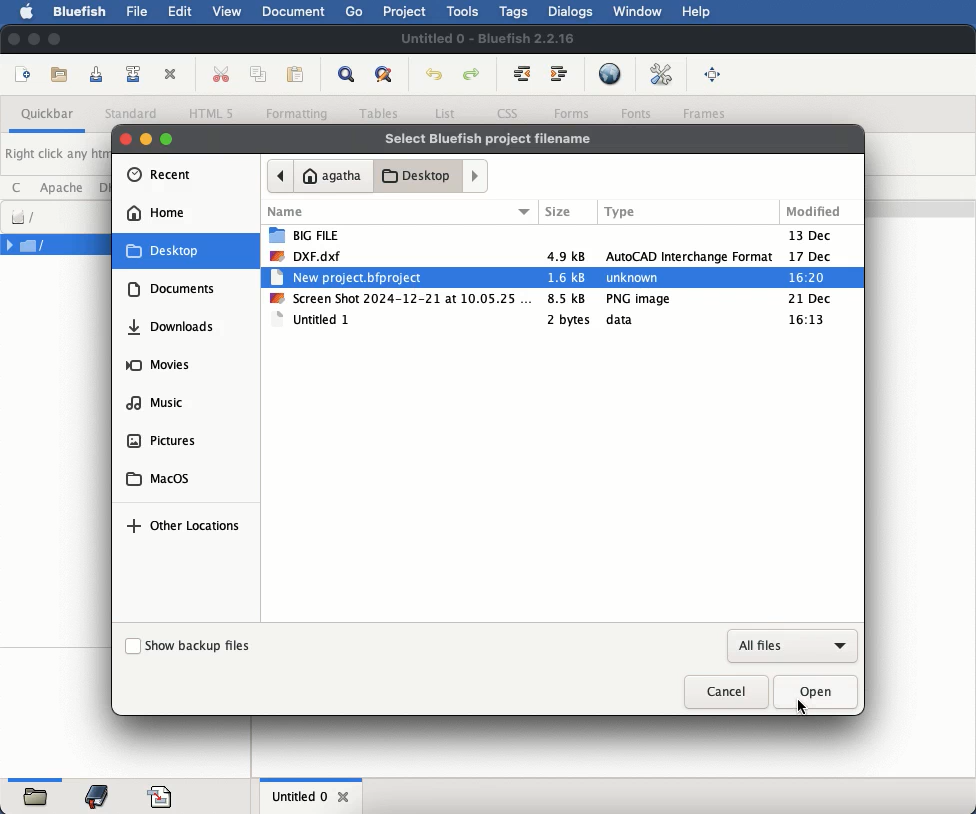 The width and height of the screenshot is (976, 814). What do you see at coordinates (211, 113) in the screenshot?
I see `html 5` at bounding box center [211, 113].